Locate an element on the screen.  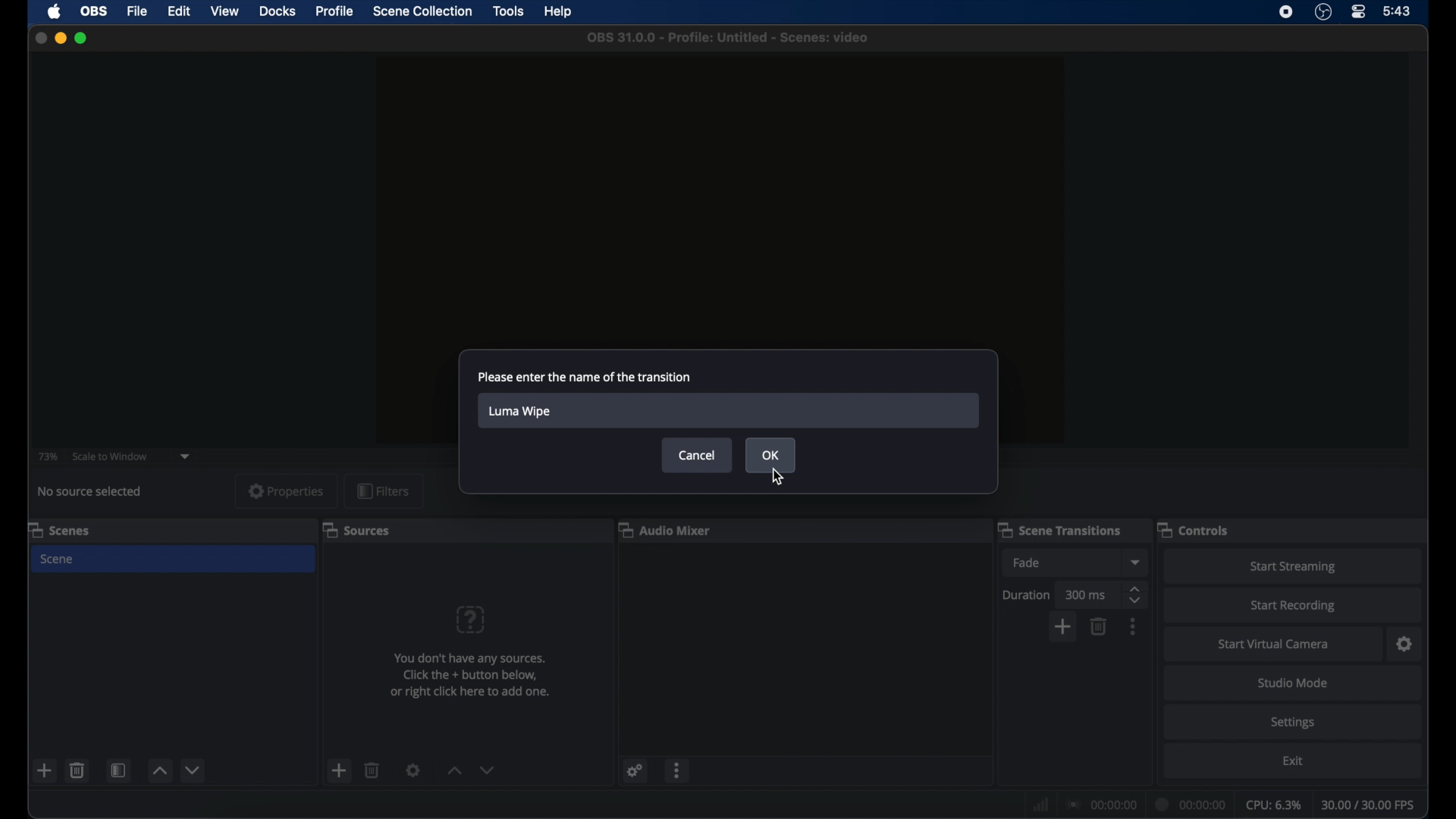
delete is located at coordinates (1100, 625).